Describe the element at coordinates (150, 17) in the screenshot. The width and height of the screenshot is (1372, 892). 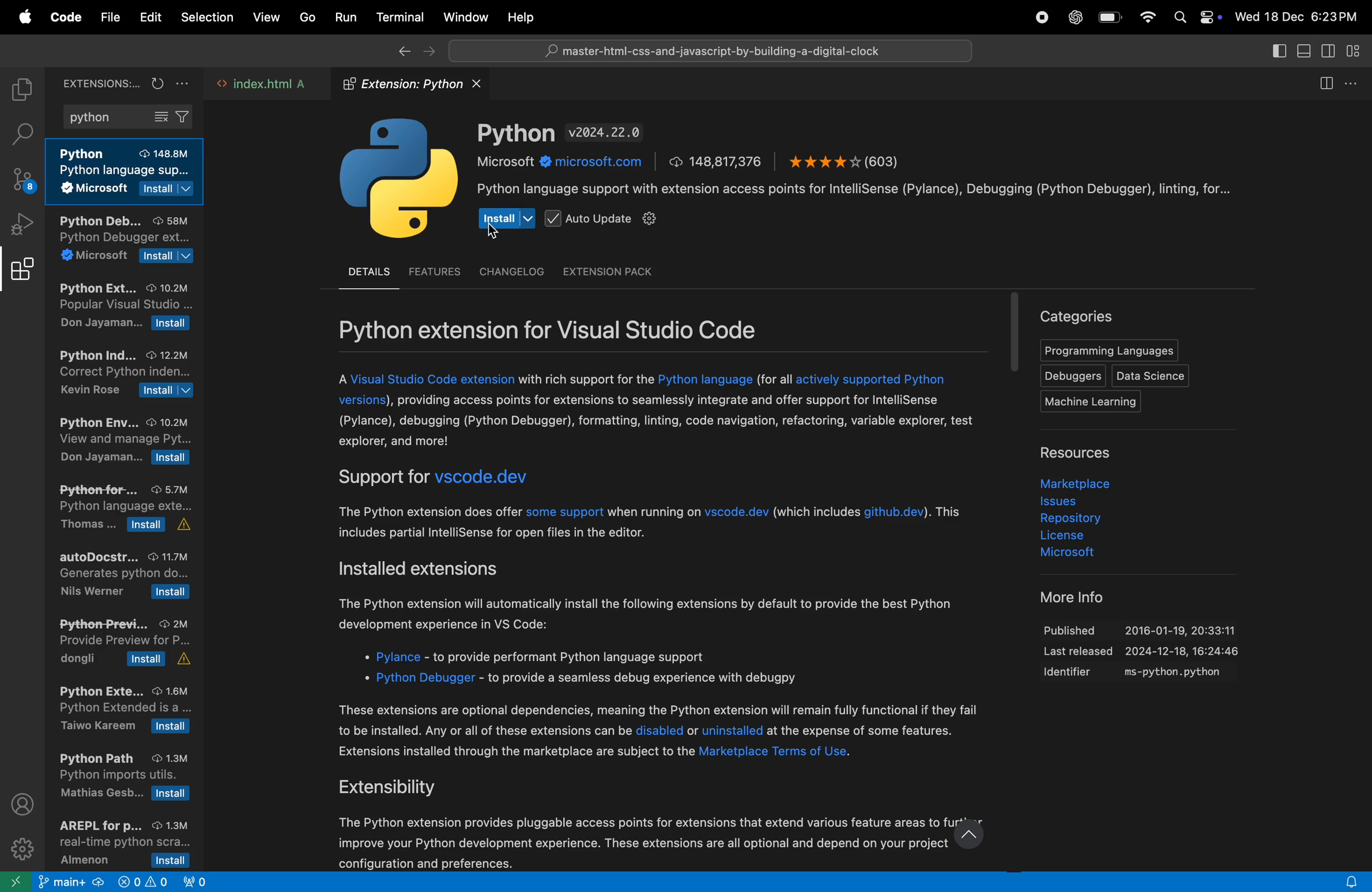
I see `edit` at that location.